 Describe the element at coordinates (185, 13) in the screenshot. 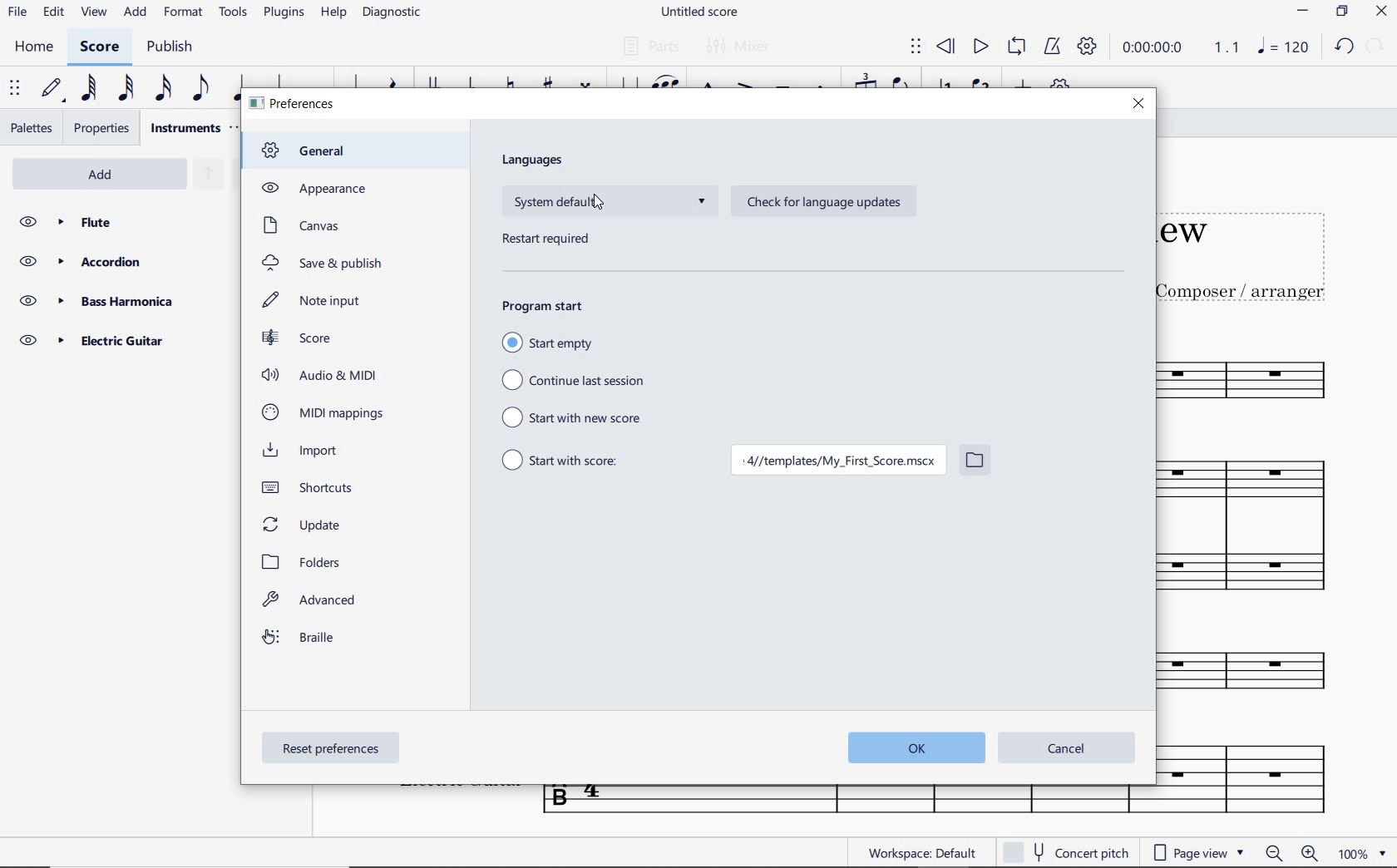

I see `format` at that location.